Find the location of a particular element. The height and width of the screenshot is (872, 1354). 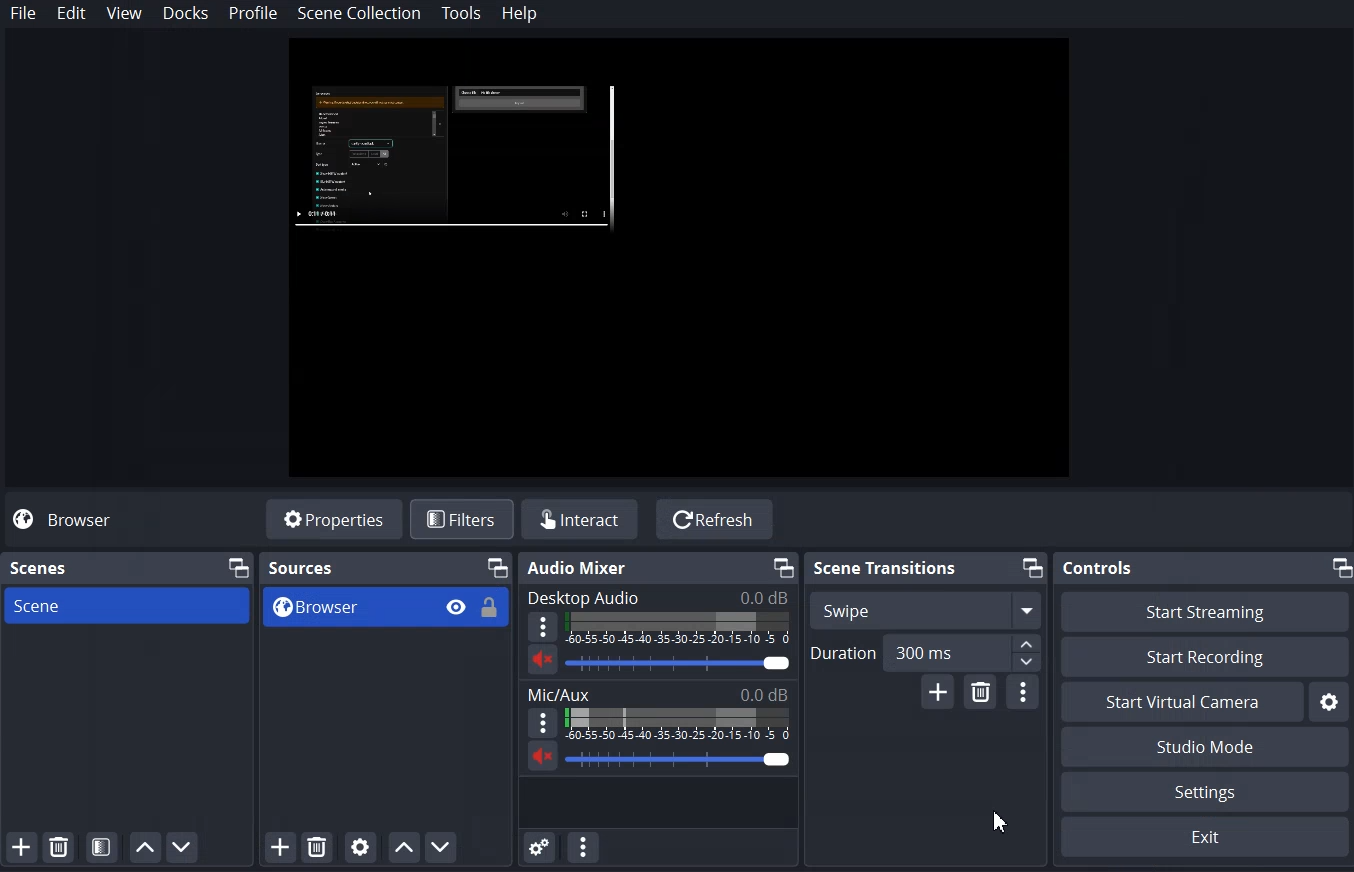

Advance Audio Properties is located at coordinates (540, 847).